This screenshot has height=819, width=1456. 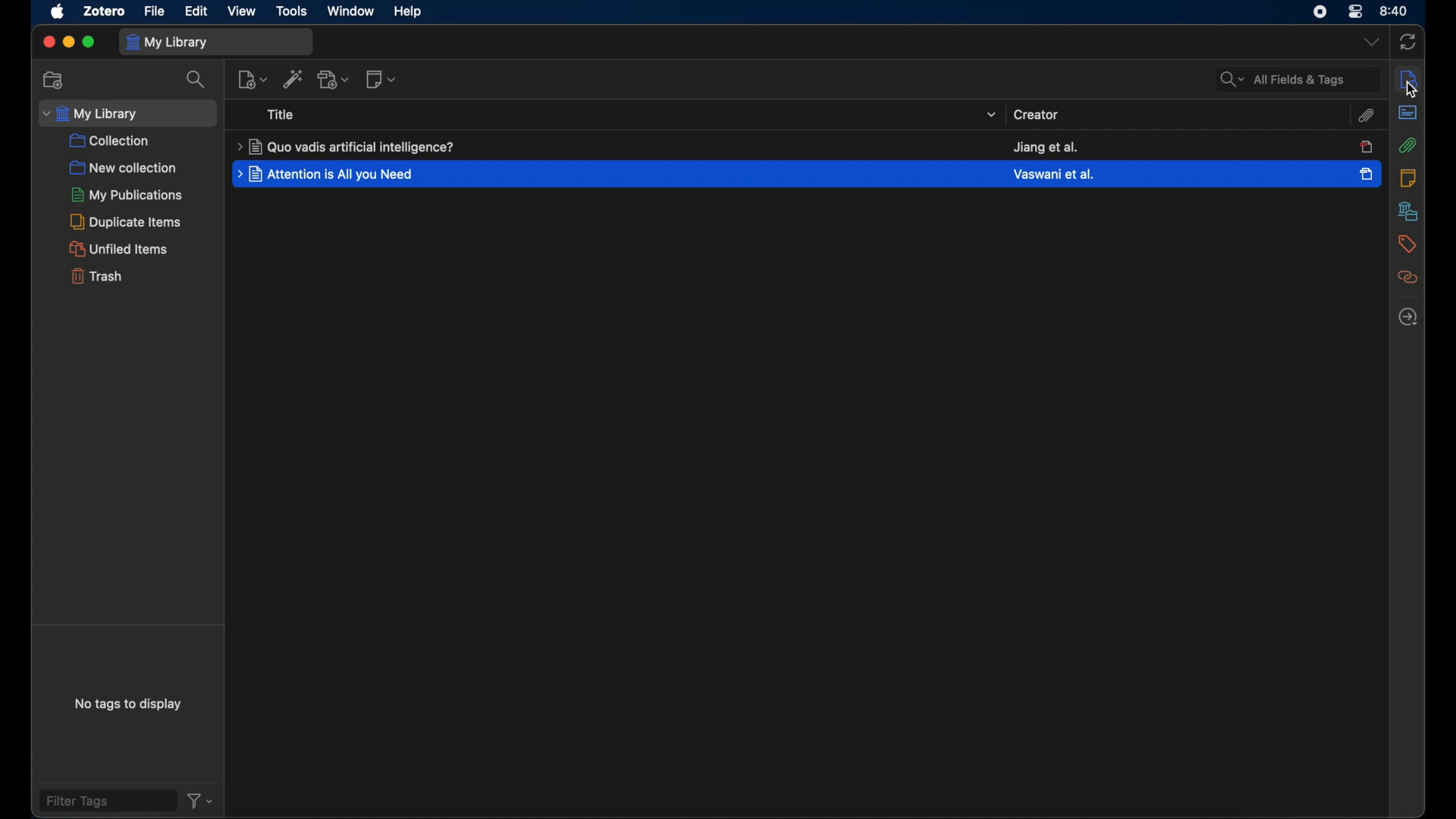 I want to click on new notes, so click(x=381, y=80).